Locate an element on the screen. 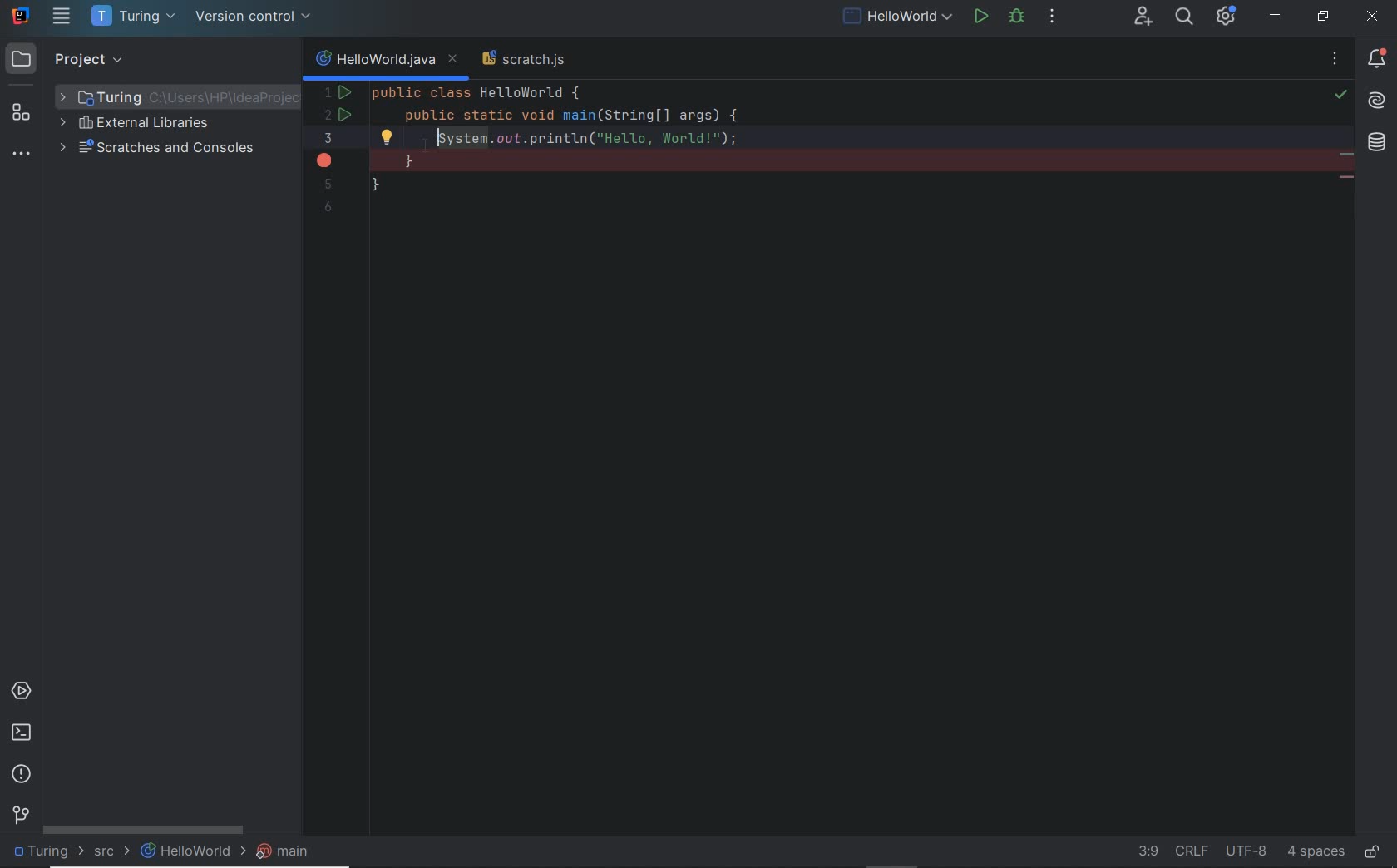 The width and height of the screenshot is (1397, 868). terminal is located at coordinates (23, 734).